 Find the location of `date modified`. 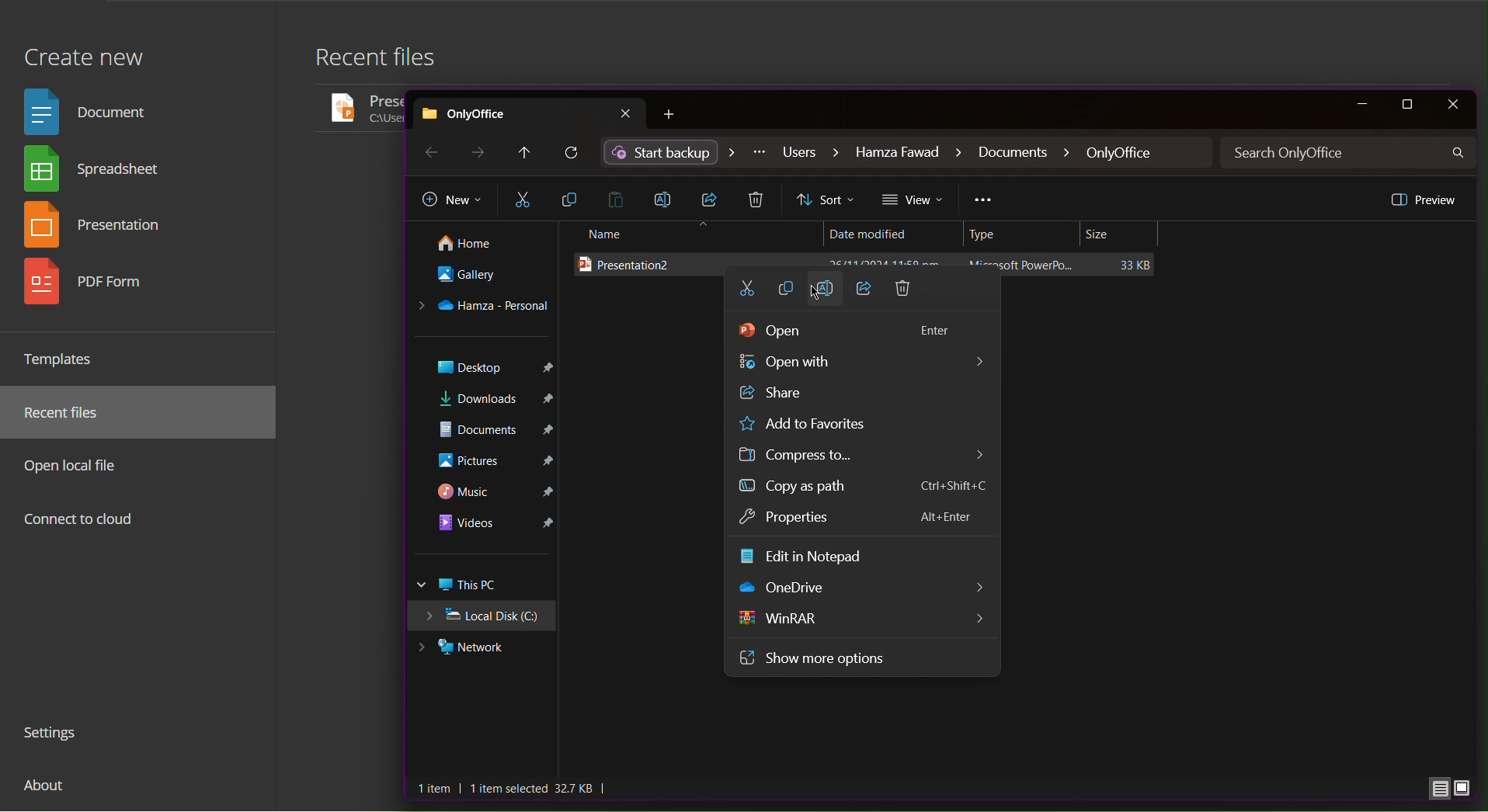

date modified is located at coordinates (886, 231).